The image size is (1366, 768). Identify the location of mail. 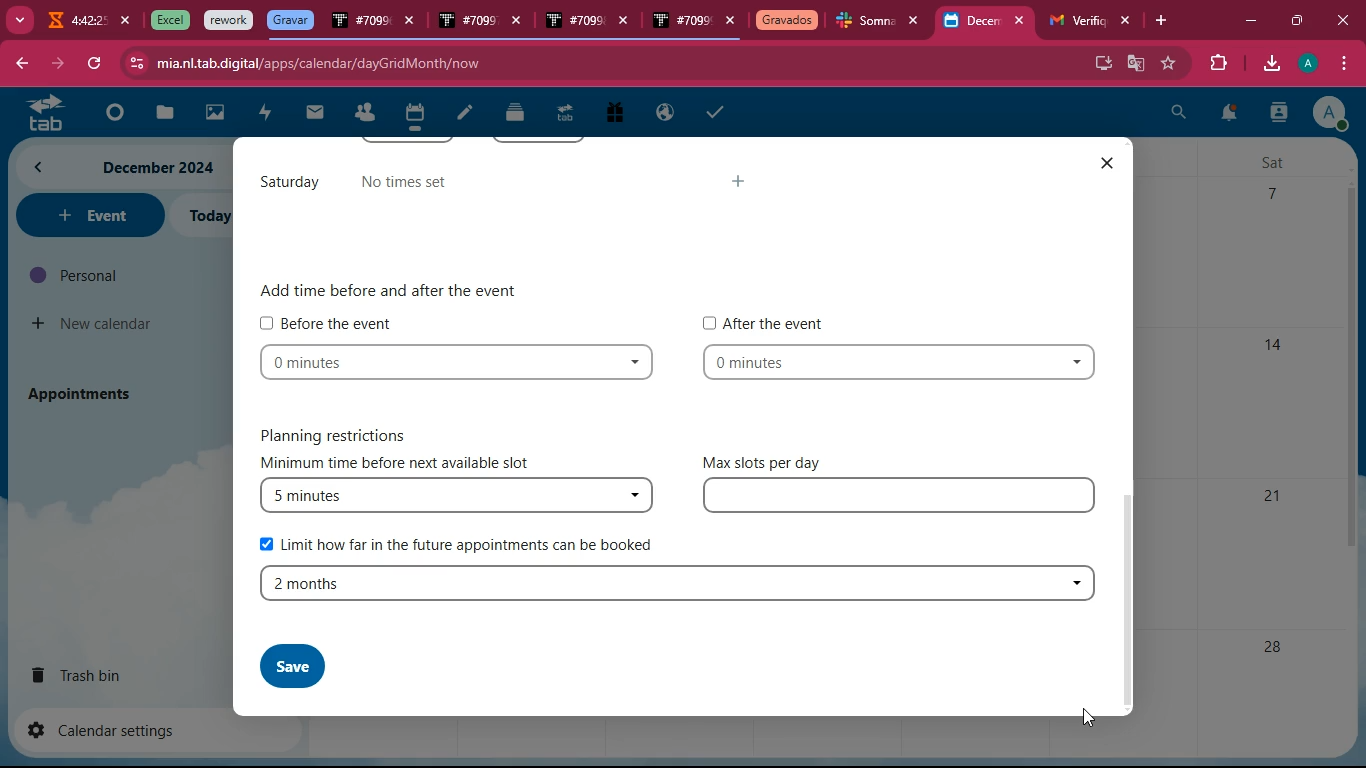
(315, 113).